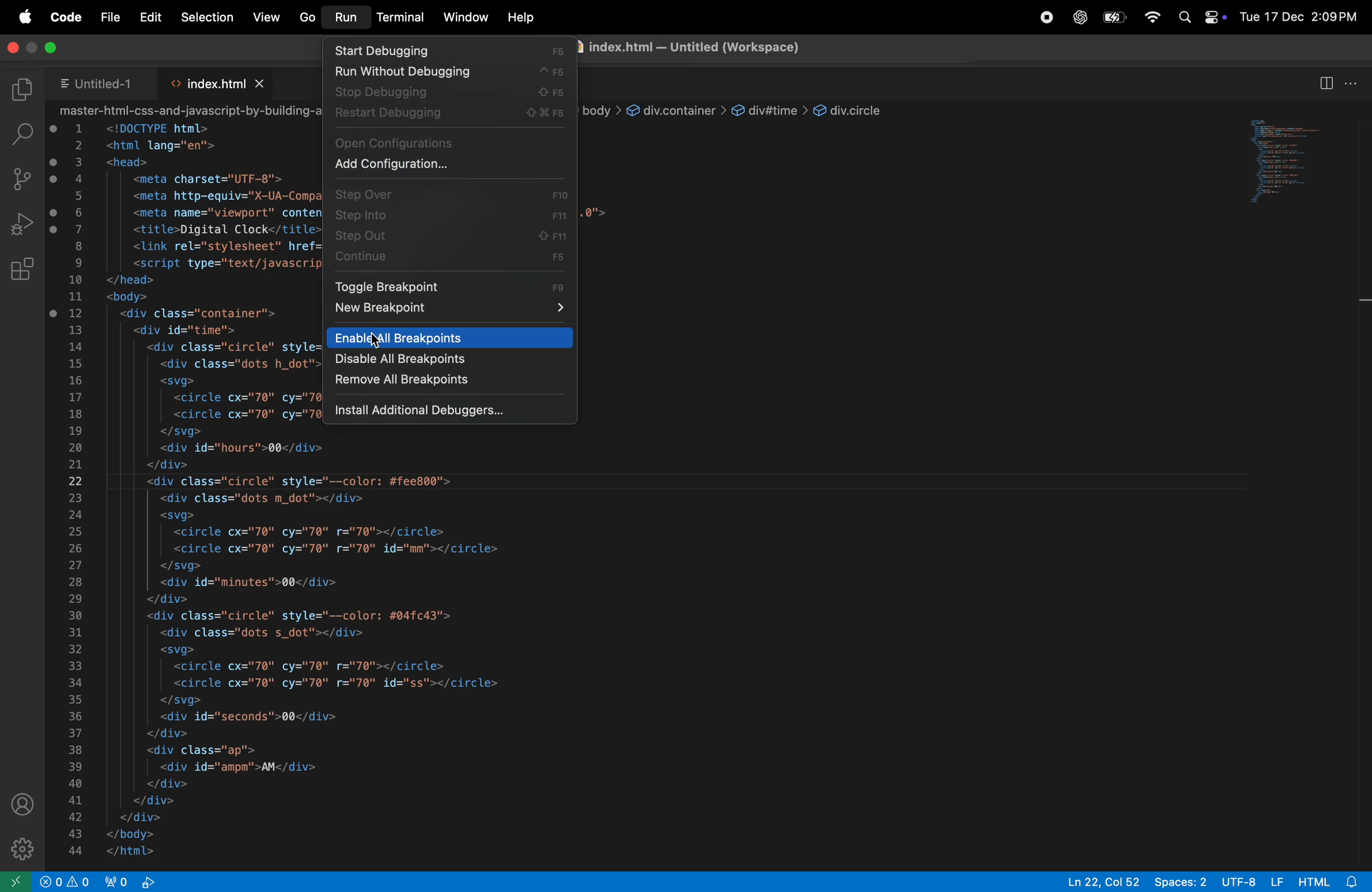  I want to click on option, so click(1353, 81).